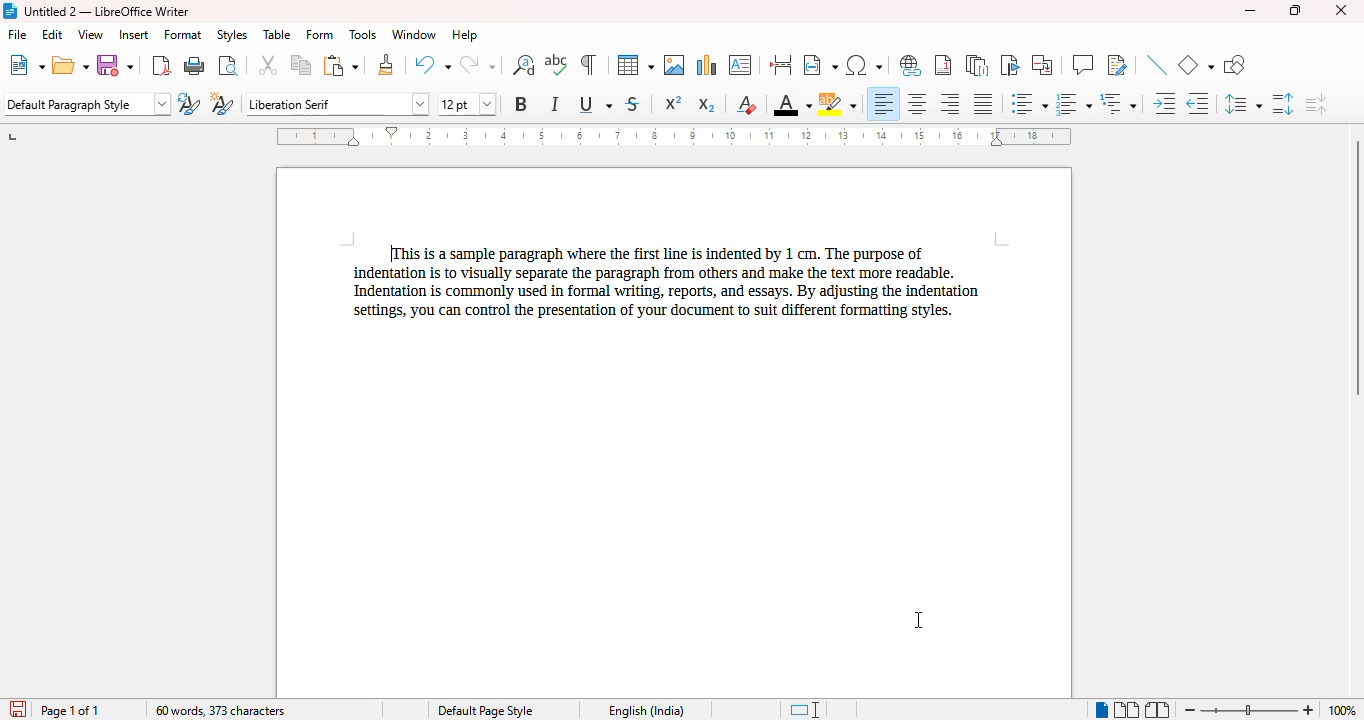  I want to click on copy, so click(302, 65).